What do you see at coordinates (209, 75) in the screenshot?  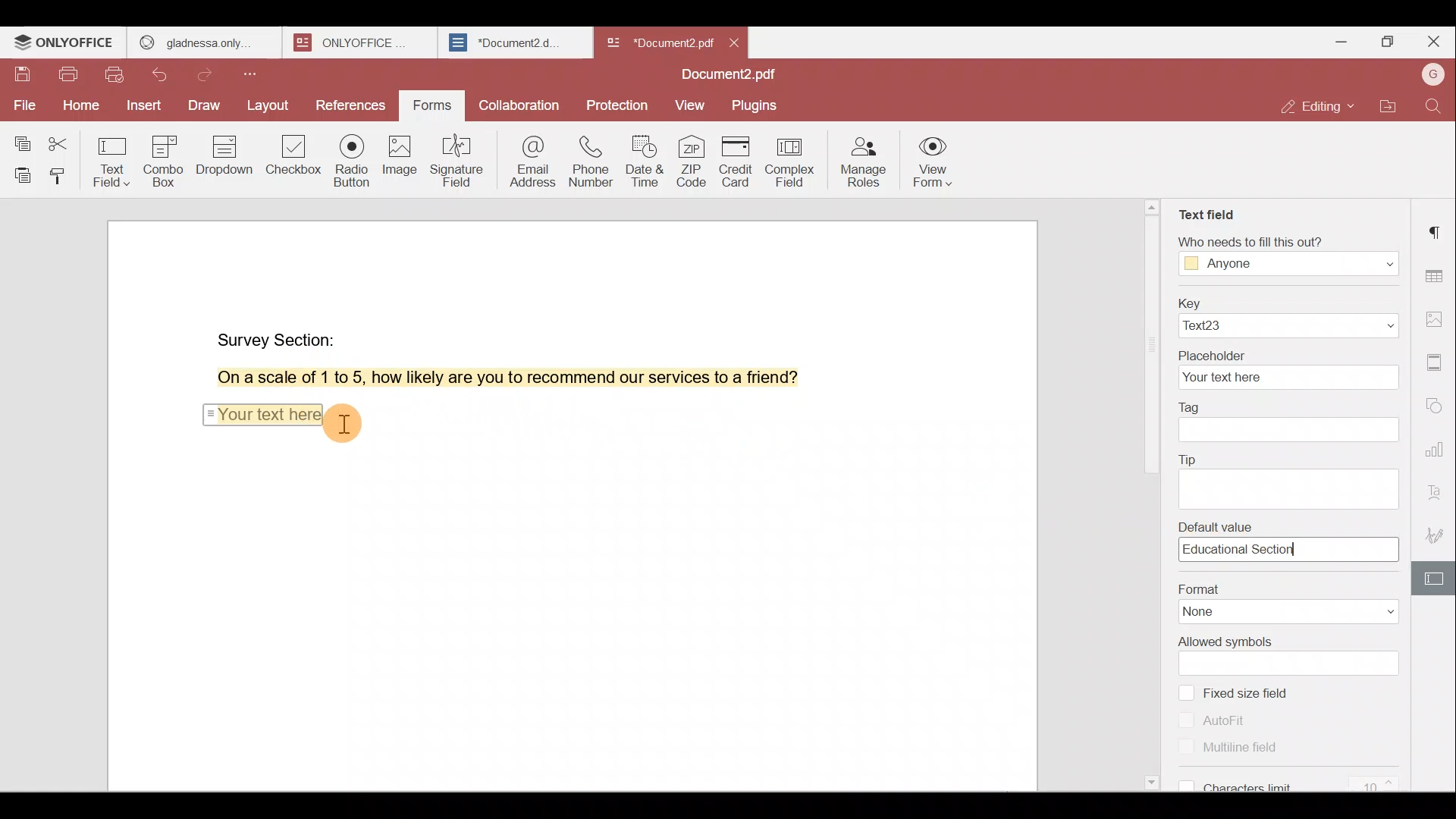 I see `Redo` at bounding box center [209, 75].